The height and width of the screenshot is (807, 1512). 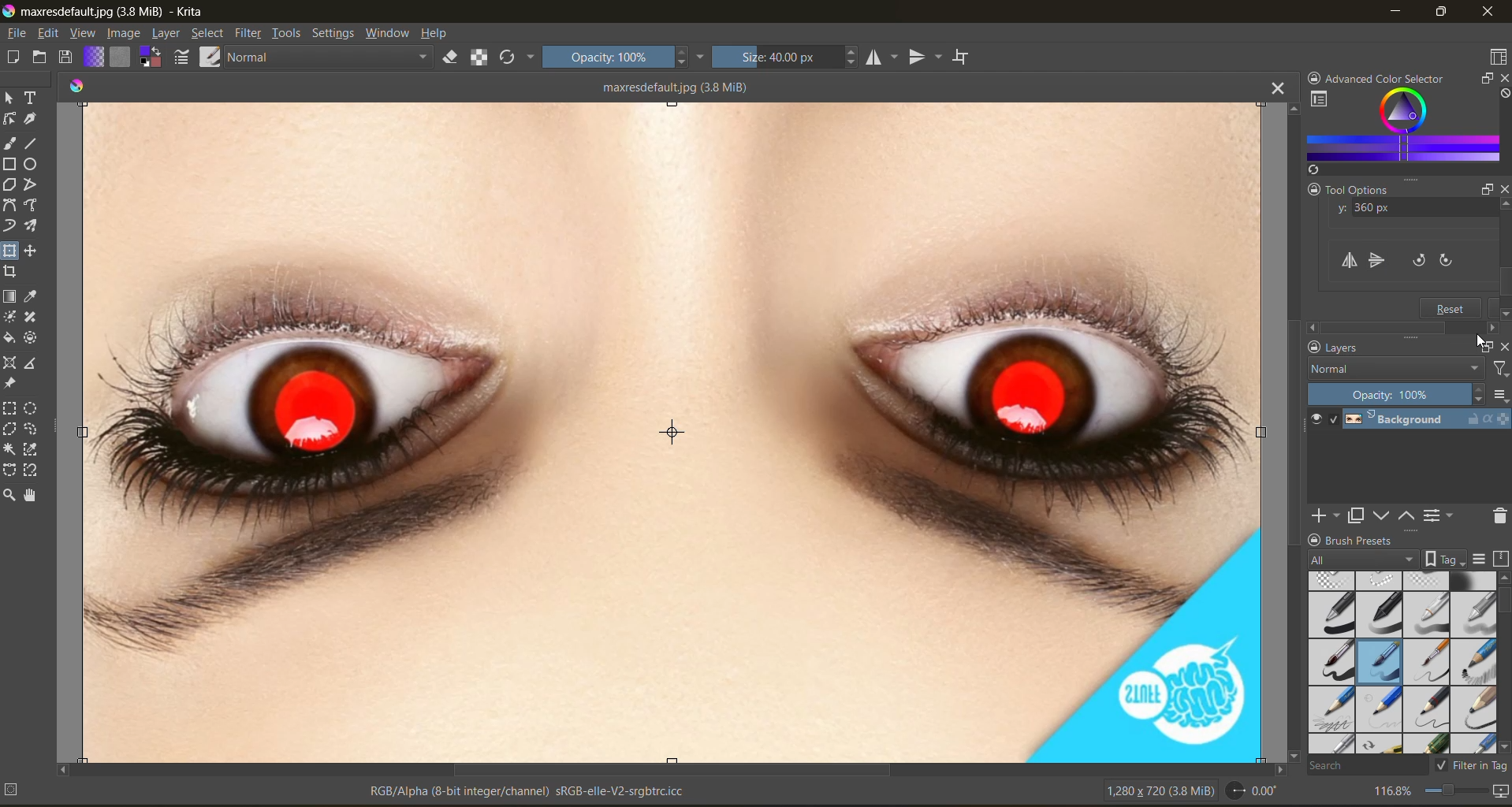 I want to click on lock docker, so click(x=1313, y=190).